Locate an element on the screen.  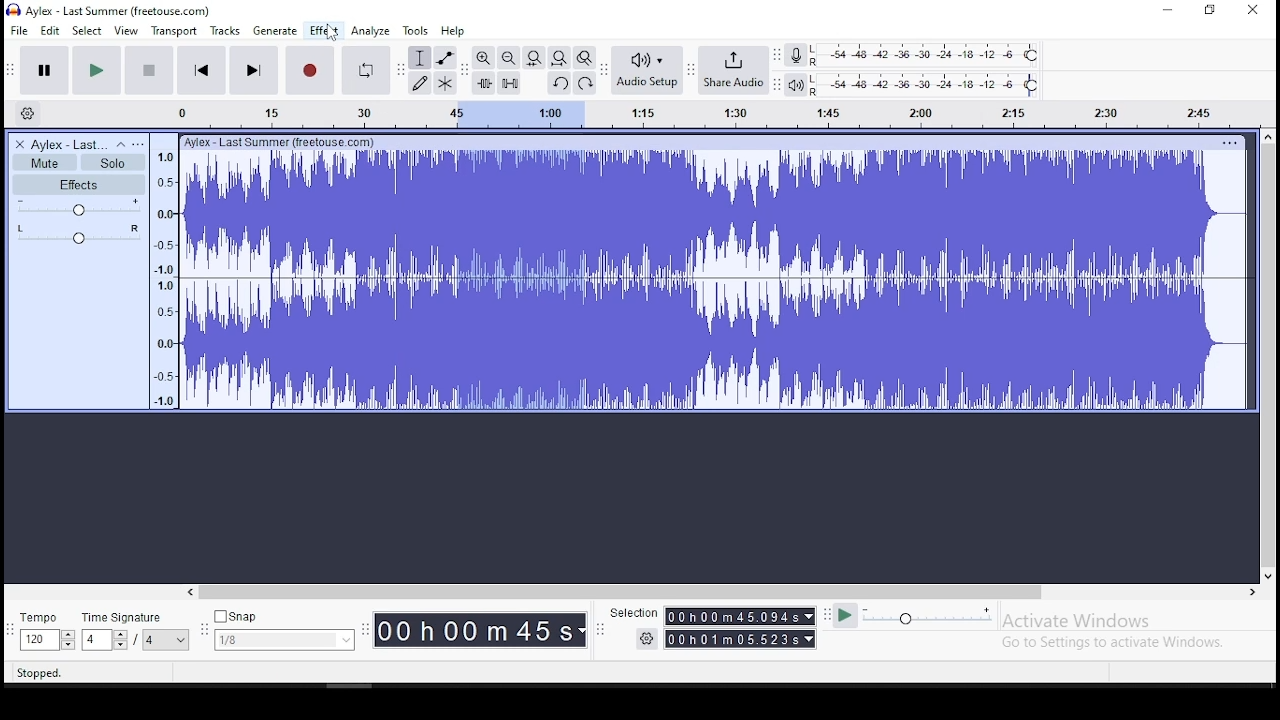
view is located at coordinates (127, 31).